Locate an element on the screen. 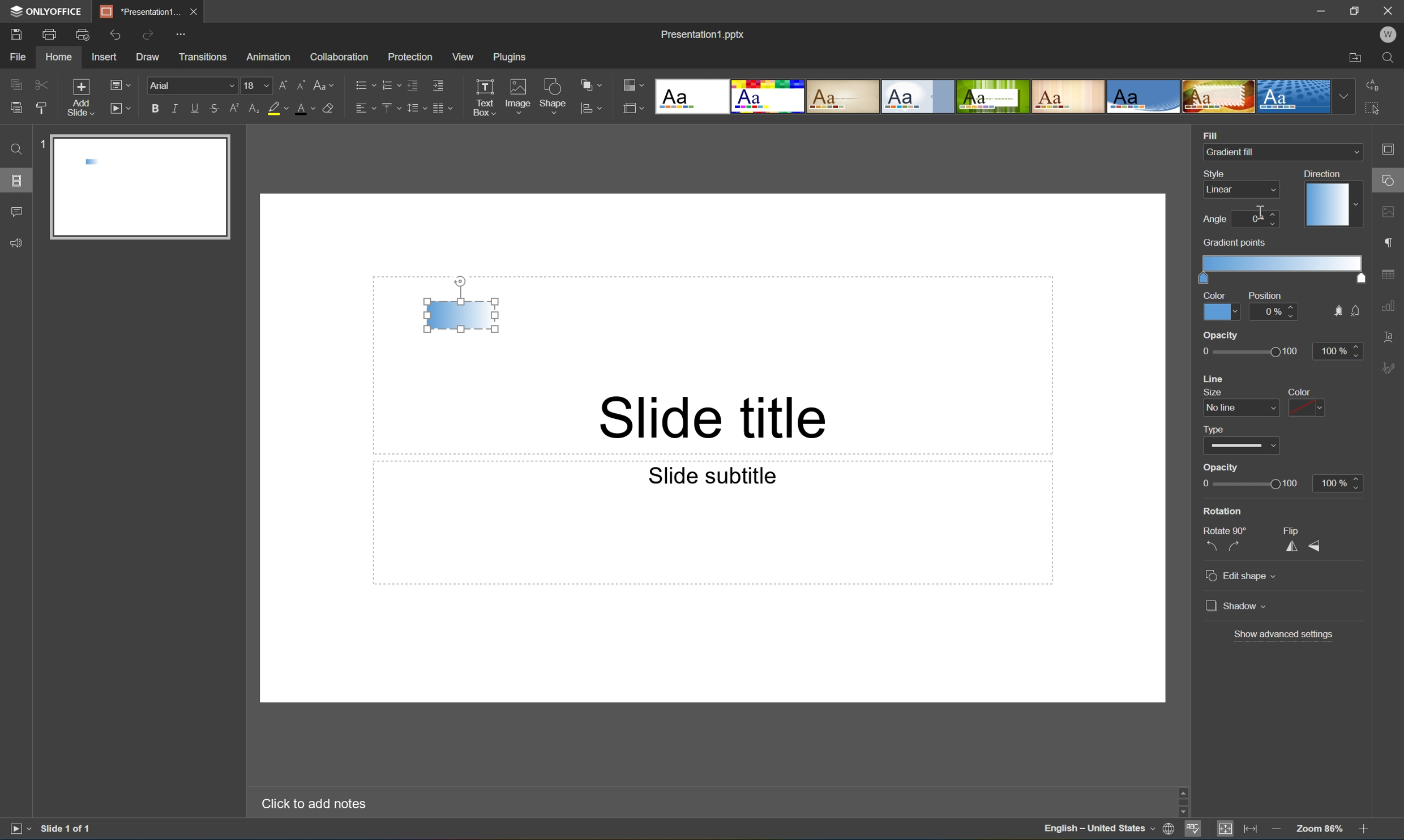 This screenshot has height=840, width=1404. Home is located at coordinates (58, 58).